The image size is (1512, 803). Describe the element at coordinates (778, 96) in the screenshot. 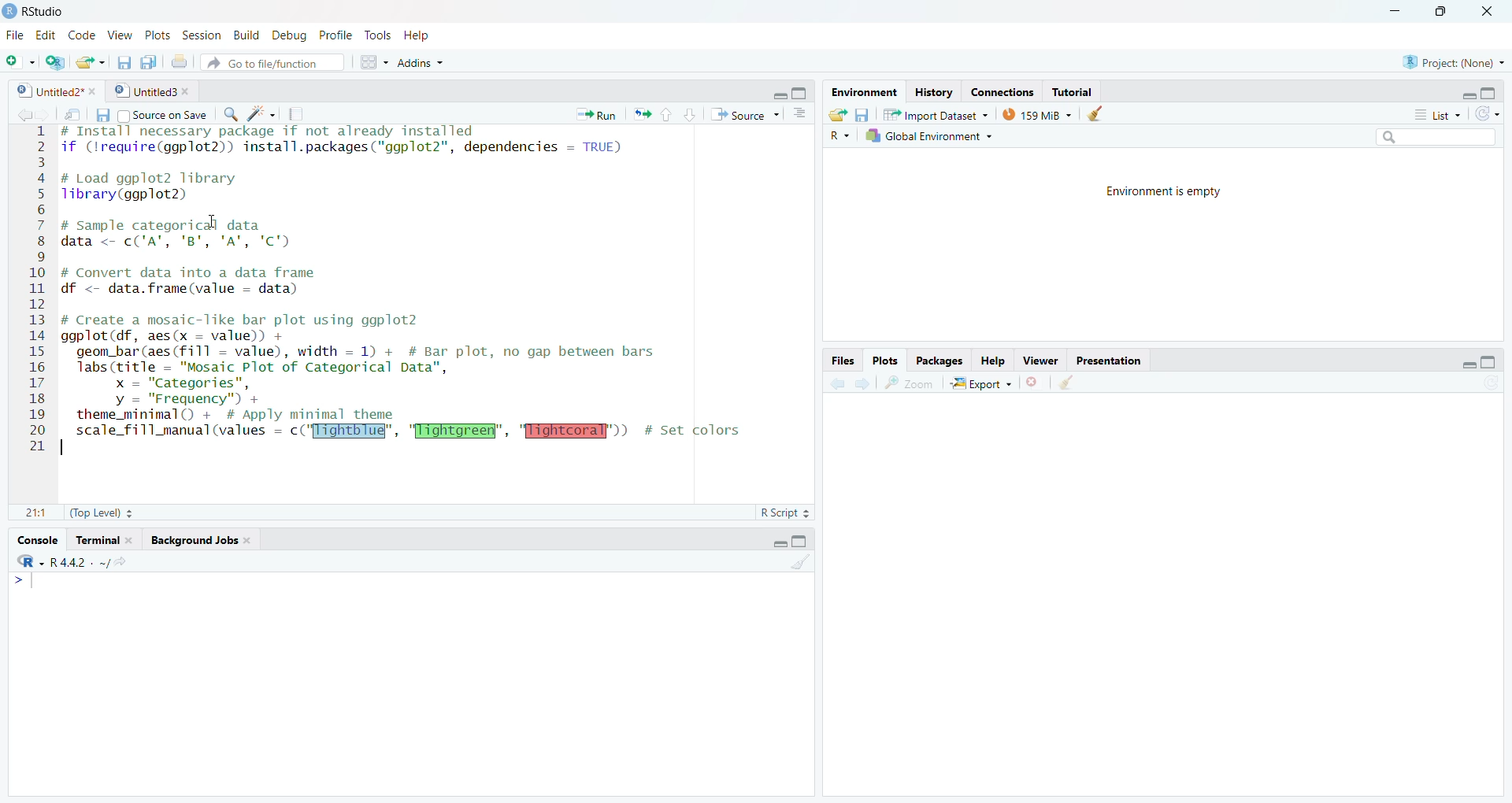

I see `Minimize` at that location.